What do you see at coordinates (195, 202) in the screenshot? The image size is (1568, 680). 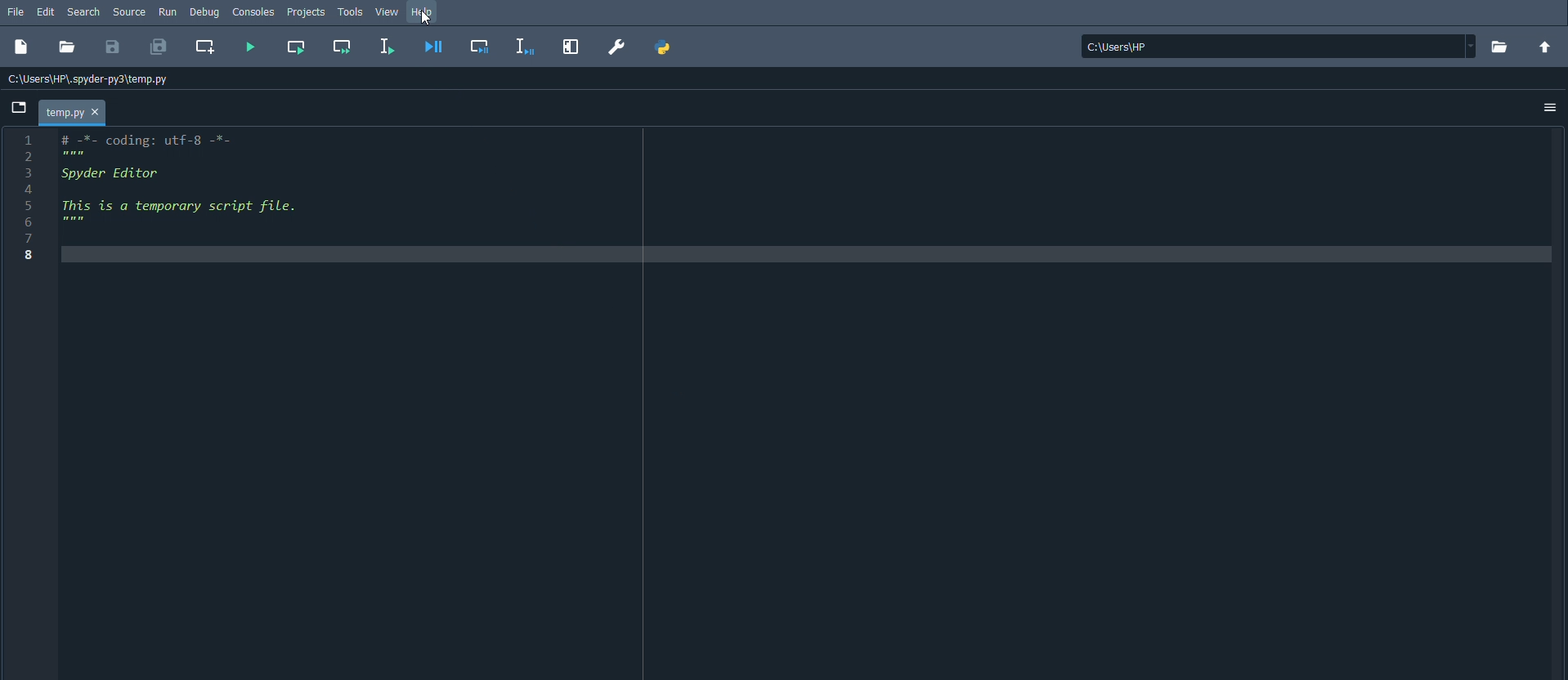 I see `Spider editor this is a temporary script file` at bounding box center [195, 202].